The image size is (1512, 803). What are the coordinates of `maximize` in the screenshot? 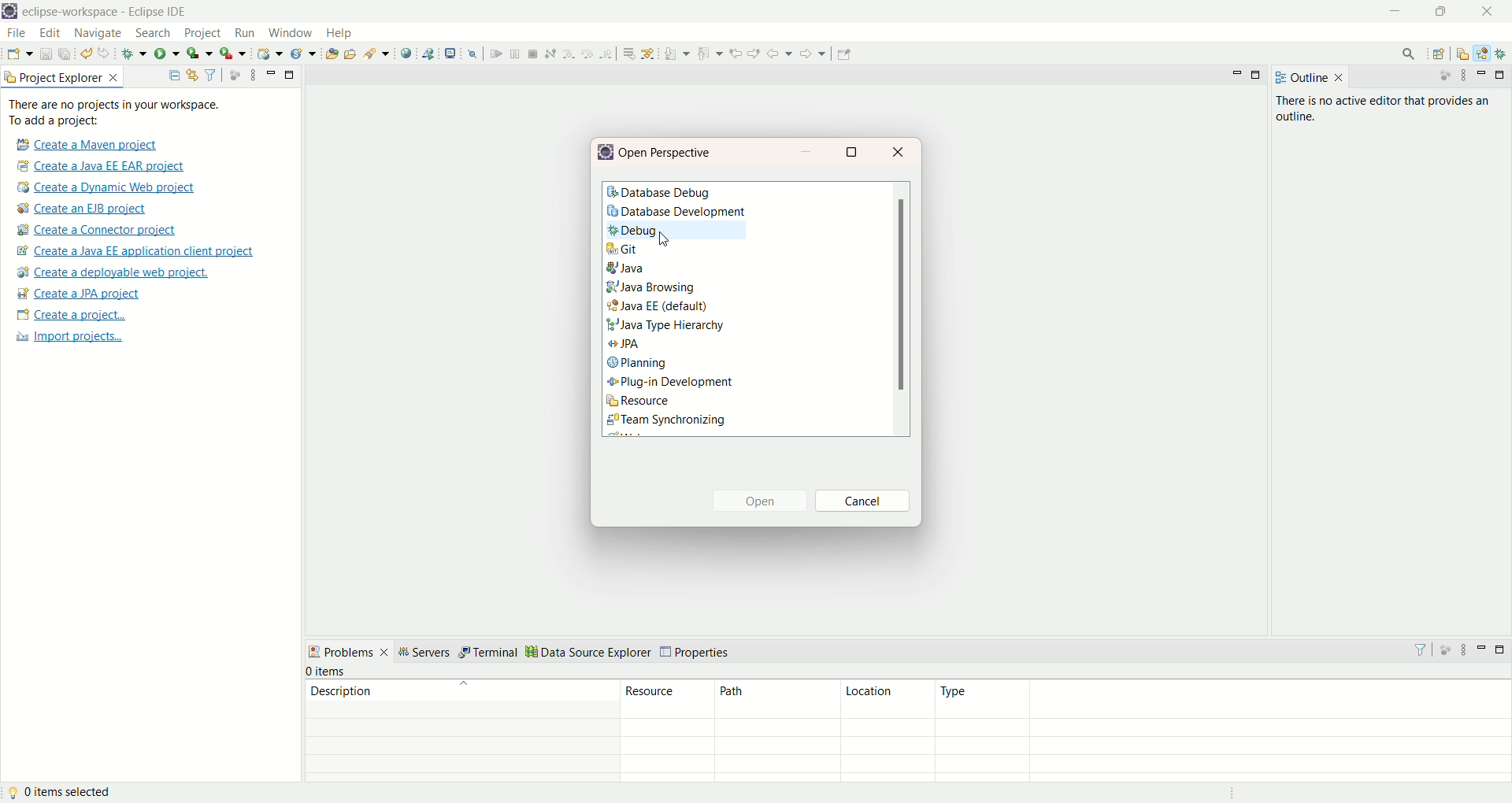 It's located at (1255, 77).